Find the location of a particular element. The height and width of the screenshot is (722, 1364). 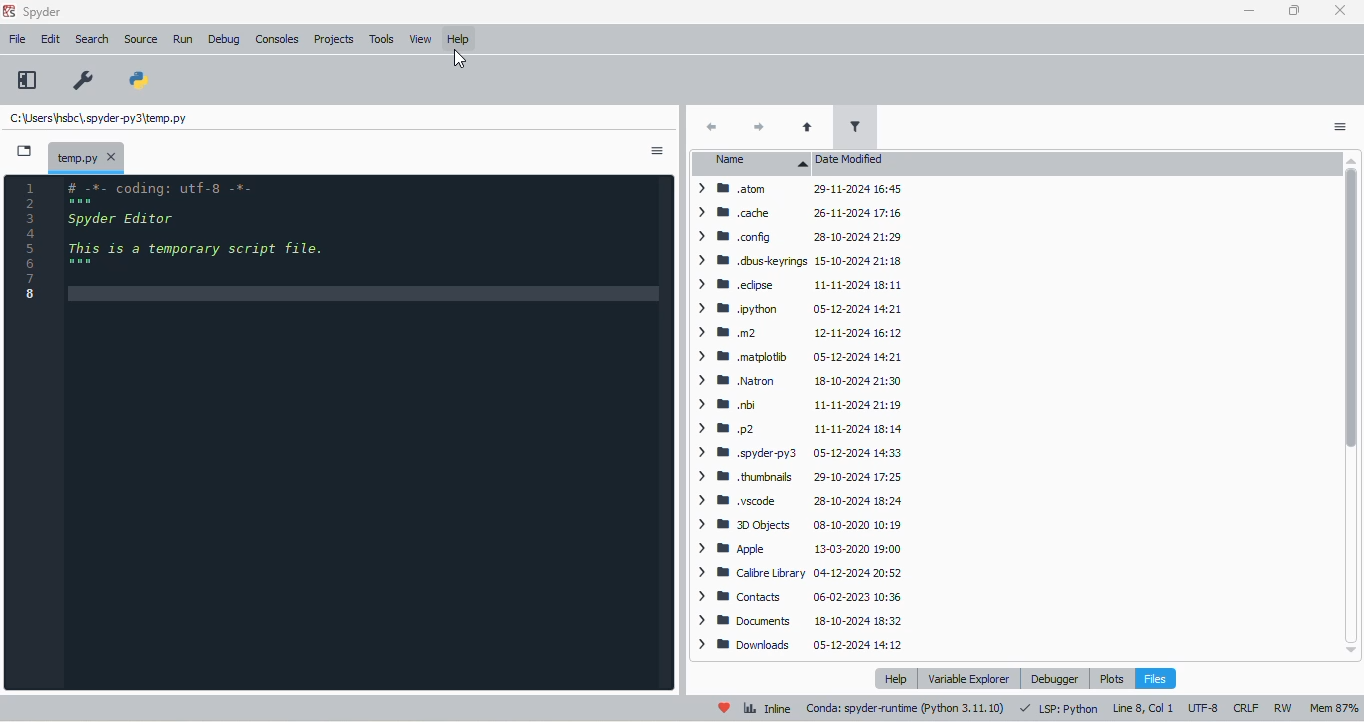

run is located at coordinates (183, 40).